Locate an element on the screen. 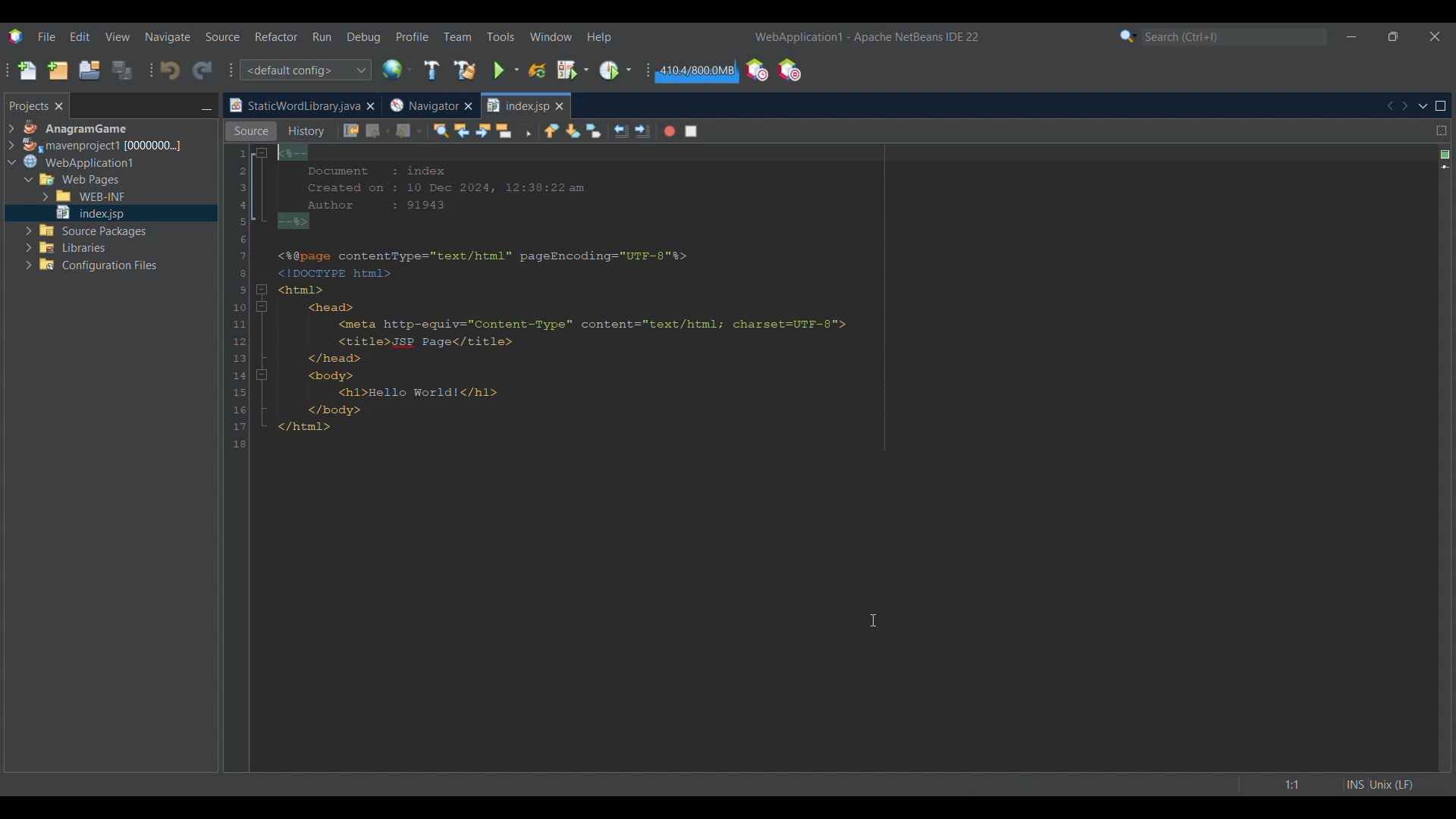 The width and height of the screenshot is (1456, 819). Source menu is located at coordinates (223, 36).